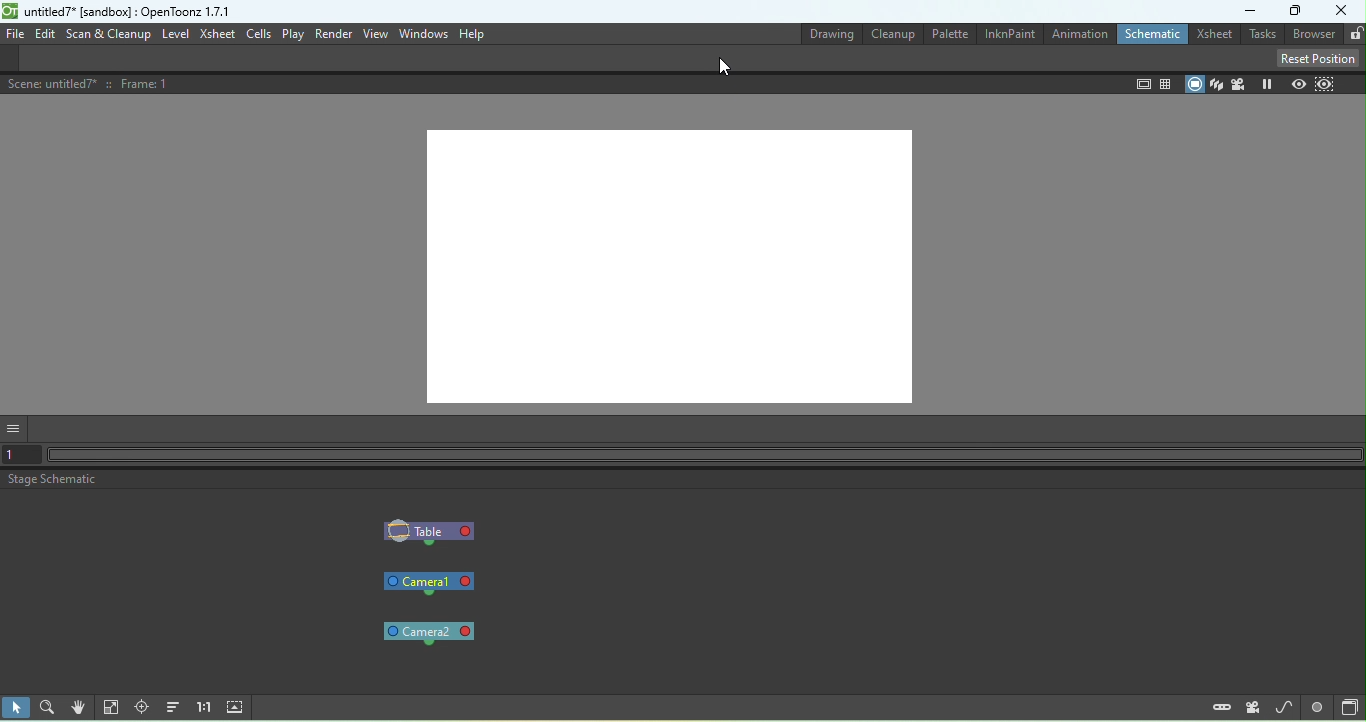 This screenshot has height=722, width=1366. What do you see at coordinates (676, 264) in the screenshot?
I see `Canvas` at bounding box center [676, 264].